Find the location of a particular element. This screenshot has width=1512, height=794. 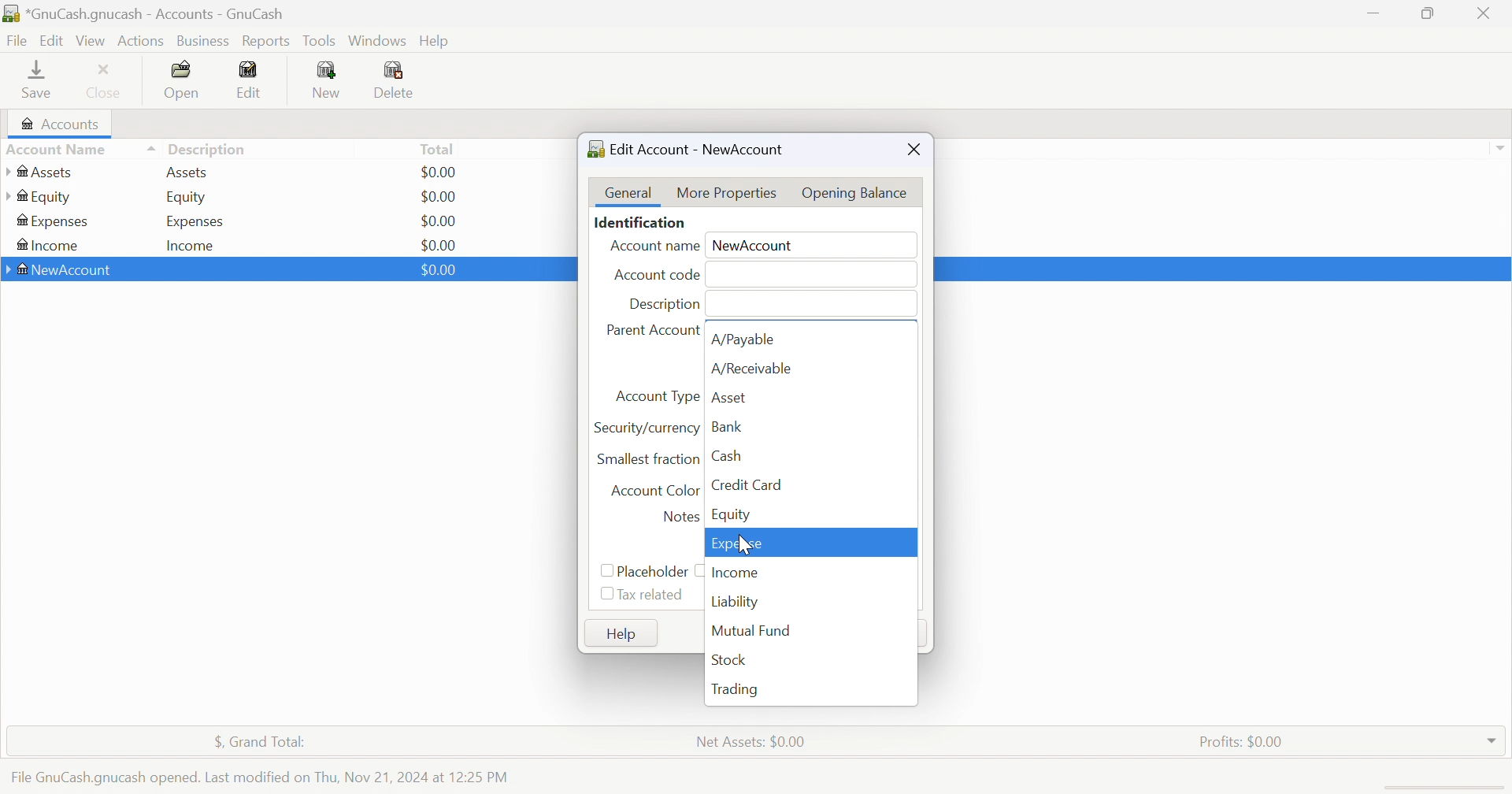

$0.00 is located at coordinates (439, 245).